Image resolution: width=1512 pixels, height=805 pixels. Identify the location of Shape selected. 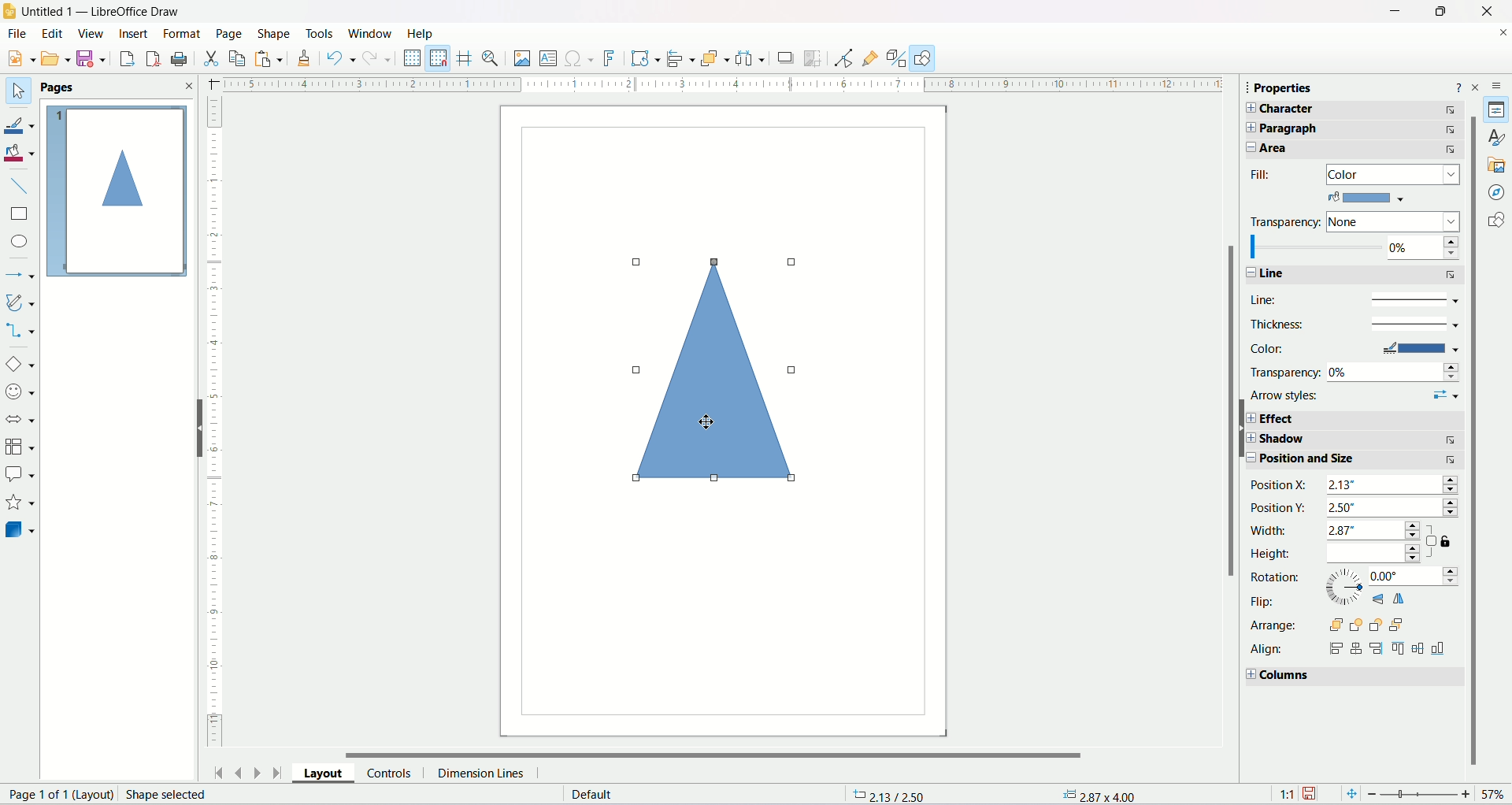
(177, 796).